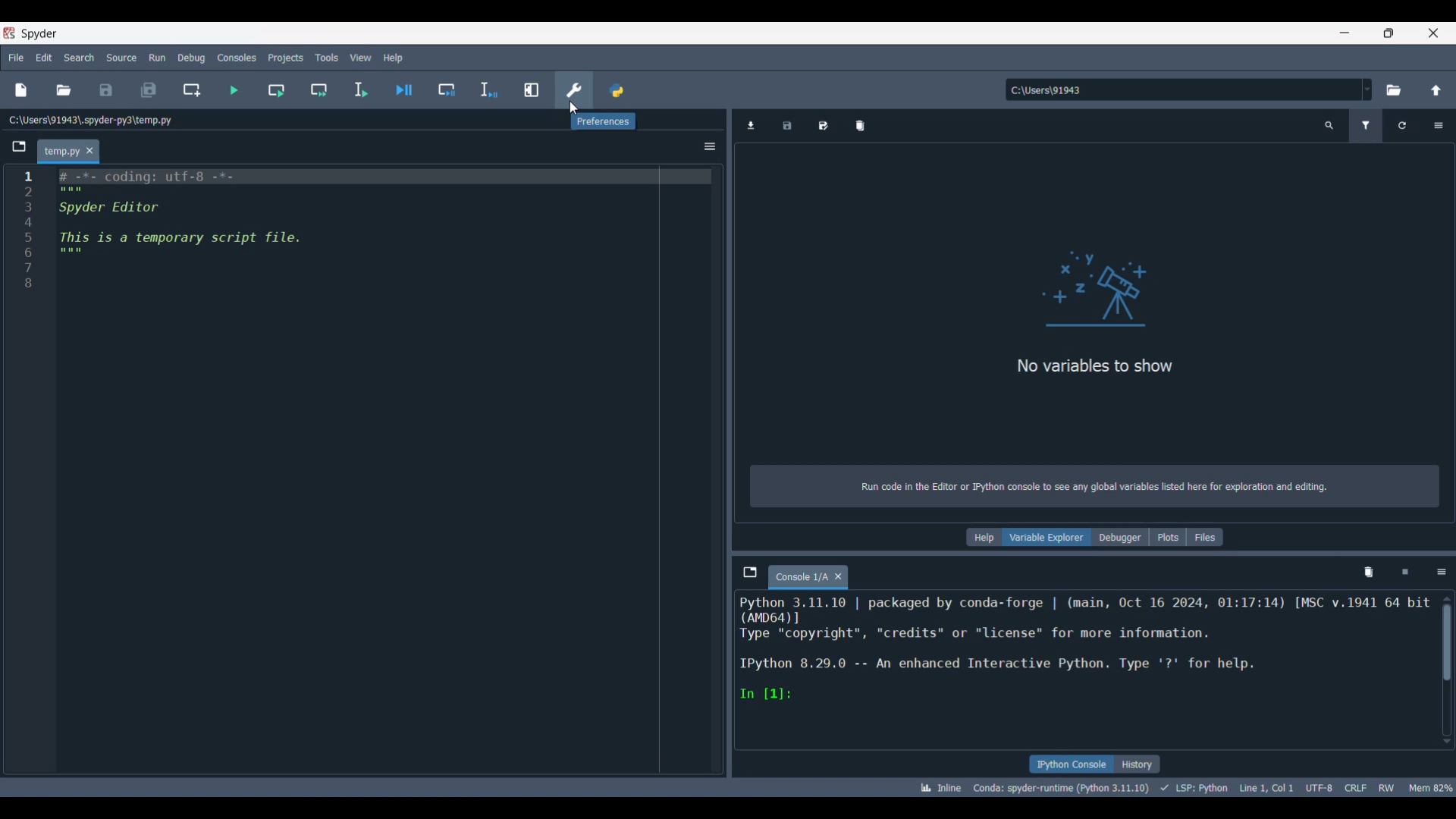 The height and width of the screenshot is (819, 1456). I want to click on Maximize current pane, so click(532, 90).